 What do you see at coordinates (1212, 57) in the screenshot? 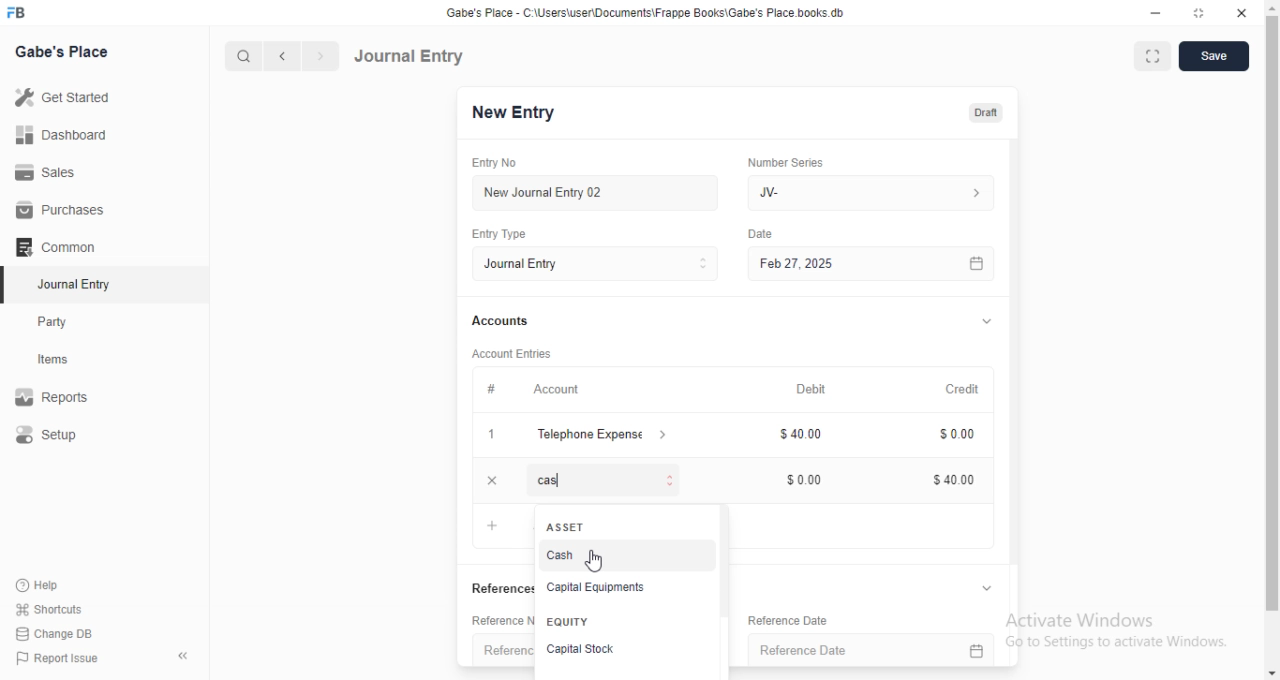
I see `Save` at bounding box center [1212, 57].